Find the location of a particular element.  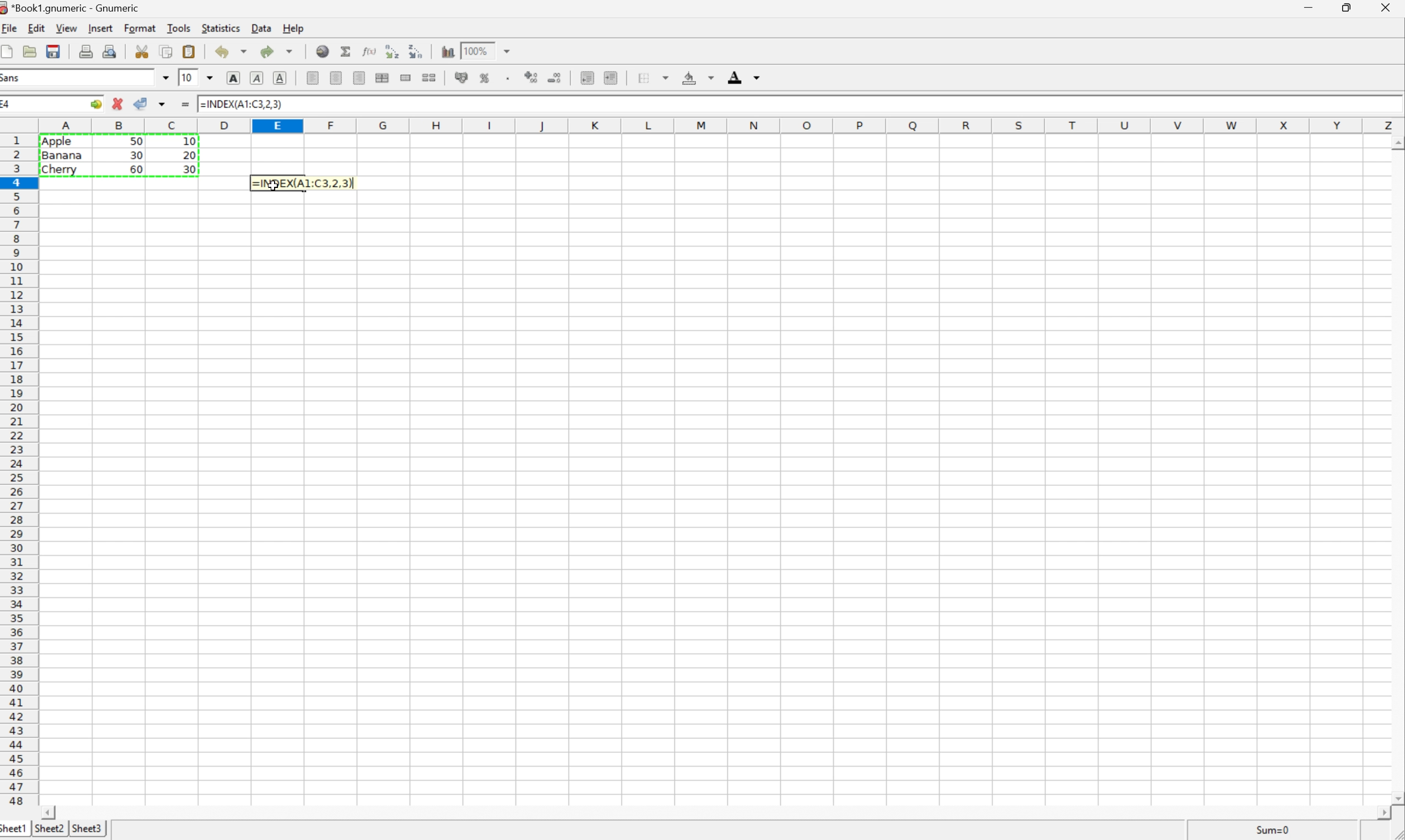

borders is located at coordinates (654, 78).